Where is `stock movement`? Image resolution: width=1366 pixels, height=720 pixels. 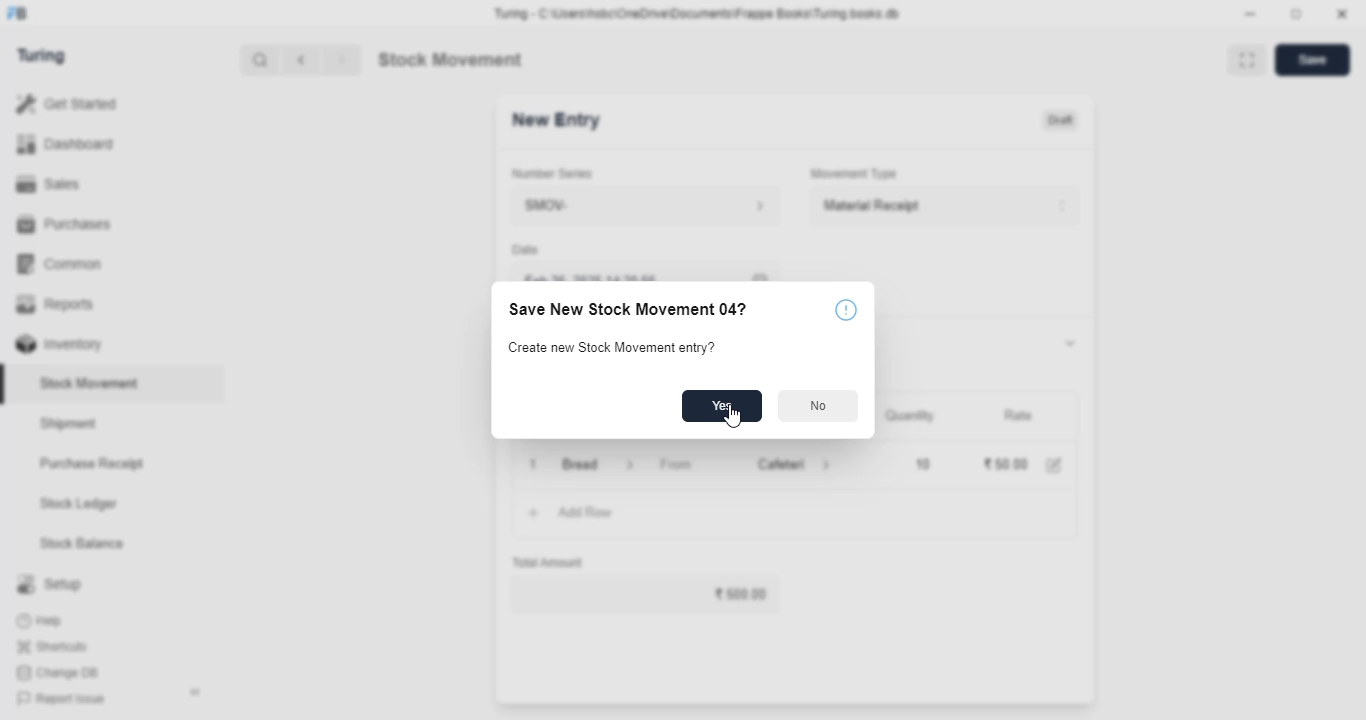
stock movement is located at coordinates (91, 383).